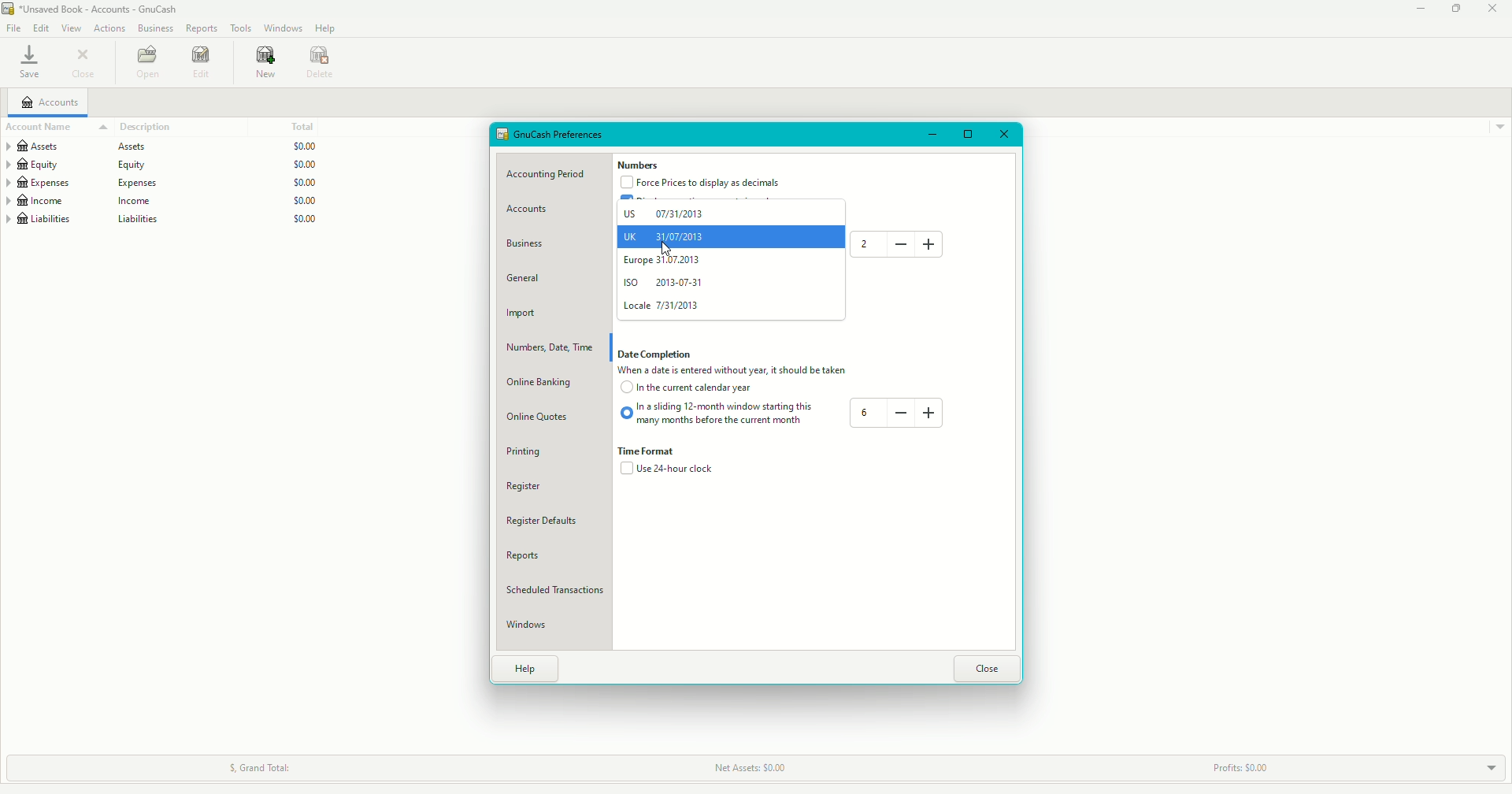  I want to click on Online Banking, so click(549, 383).